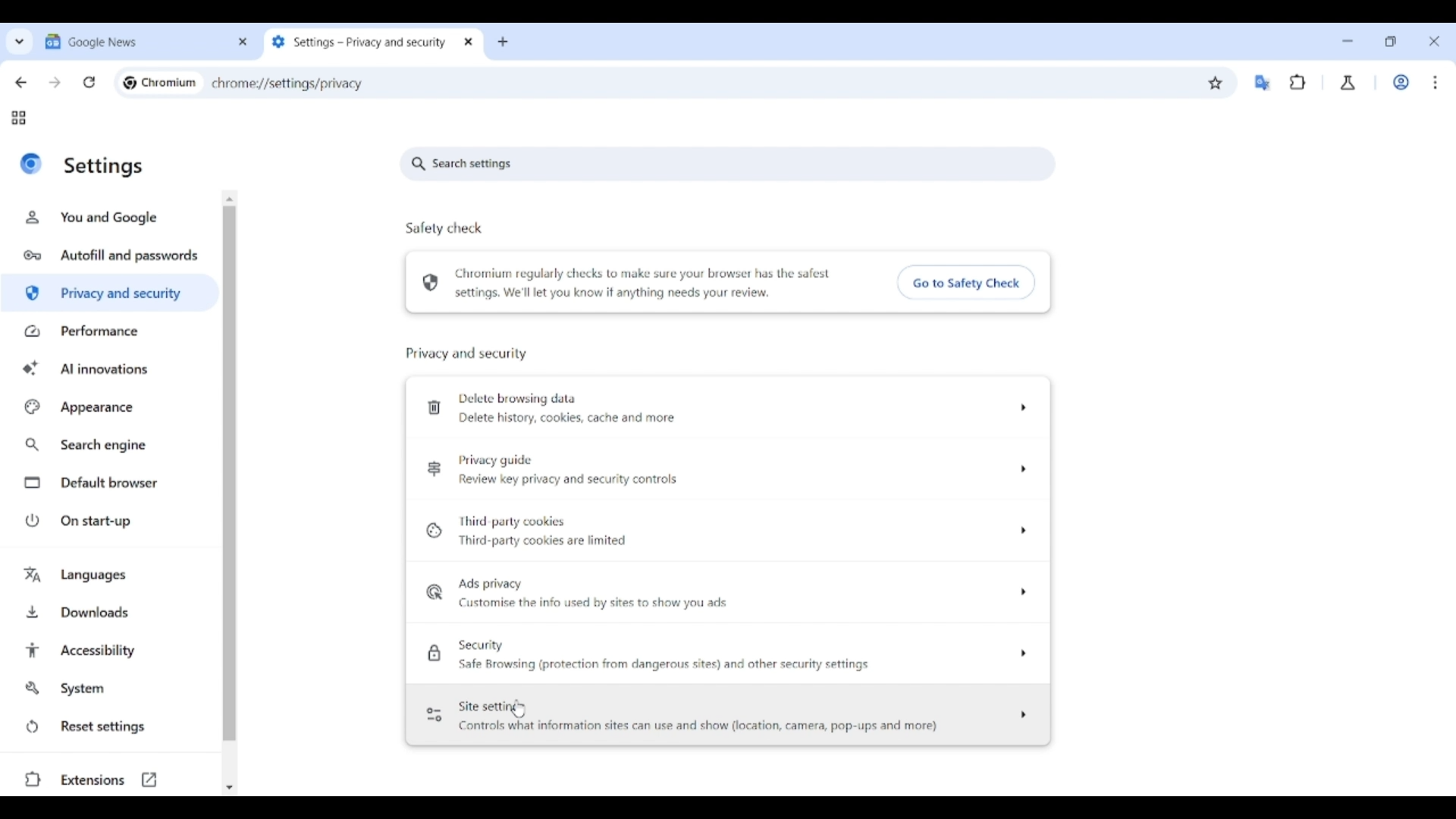  Describe the element at coordinates (726, 165) in the screenshot. I see `Search settings` at that location.